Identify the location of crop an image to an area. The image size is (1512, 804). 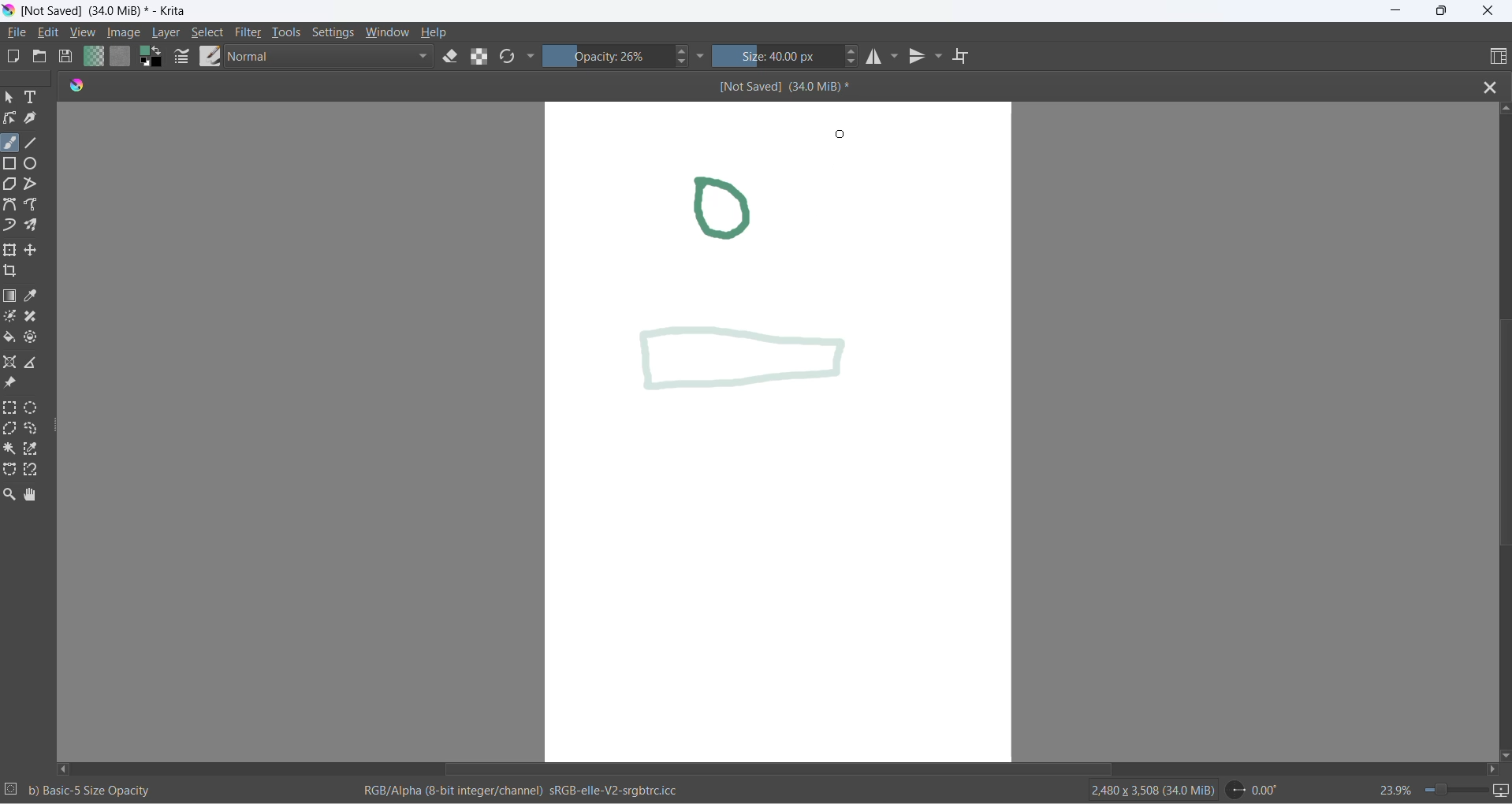
(16, 274).